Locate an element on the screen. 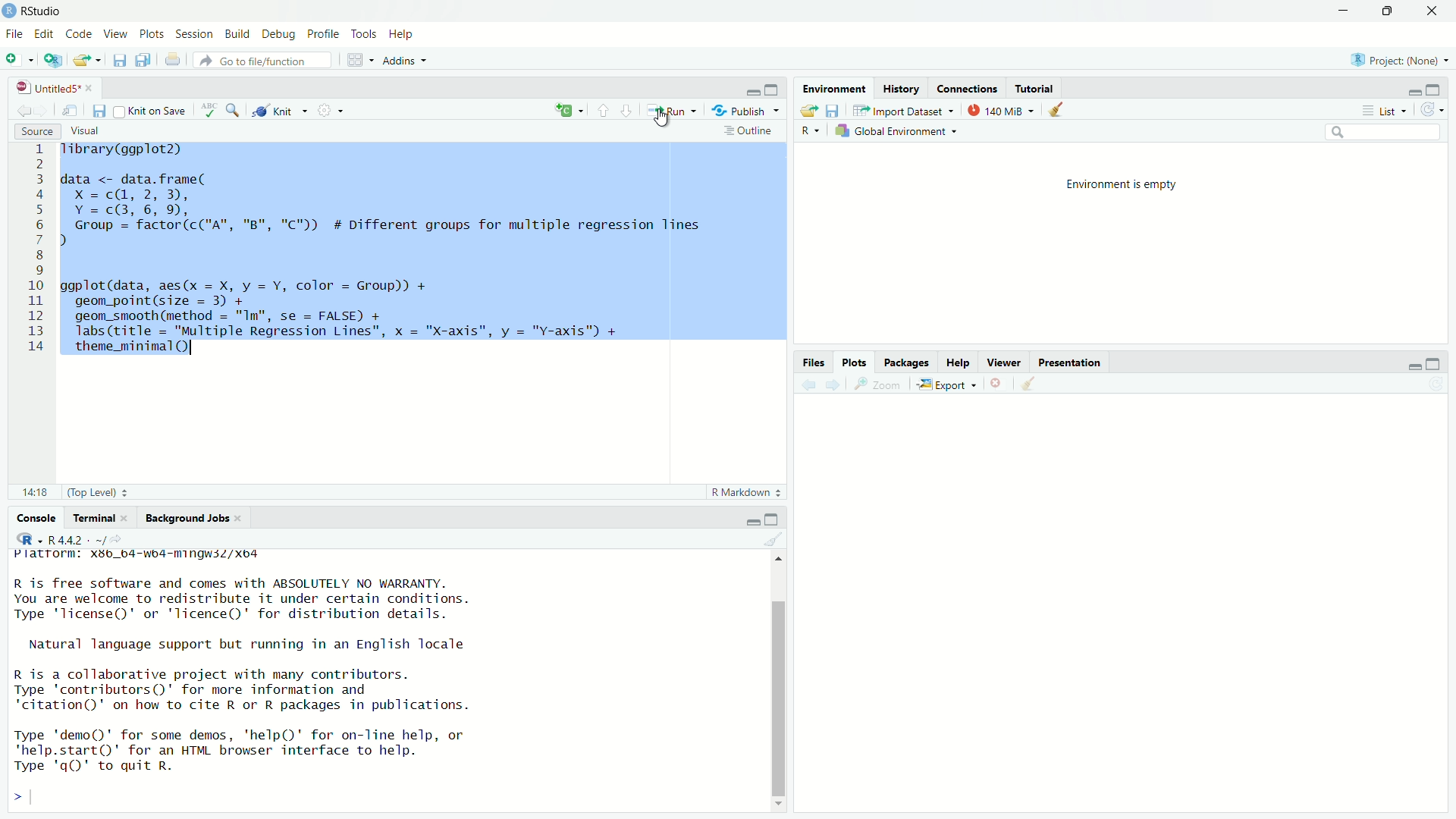  Presentation is located at coordinates (1073, 362).